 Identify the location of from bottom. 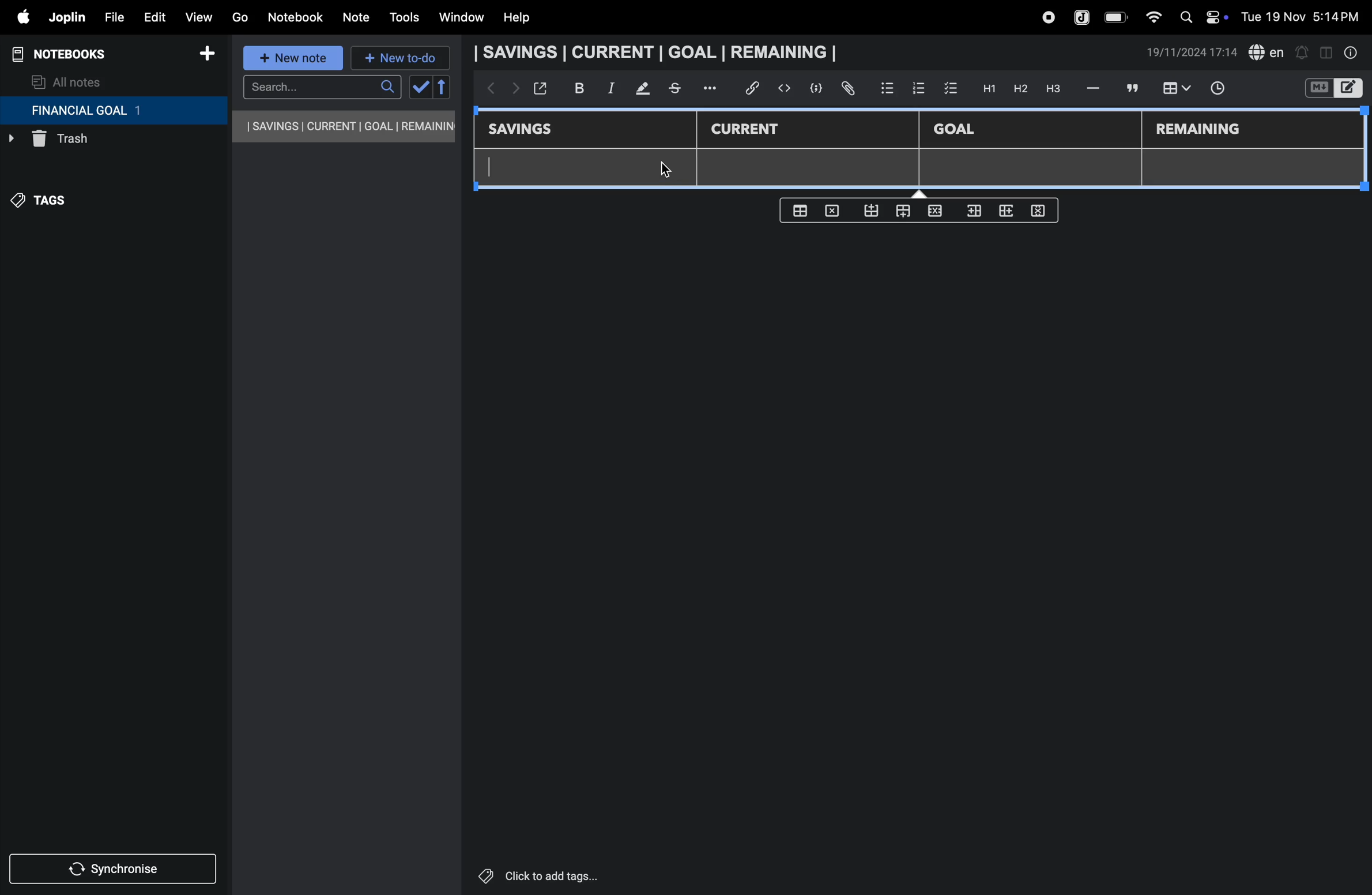
(872, 211).